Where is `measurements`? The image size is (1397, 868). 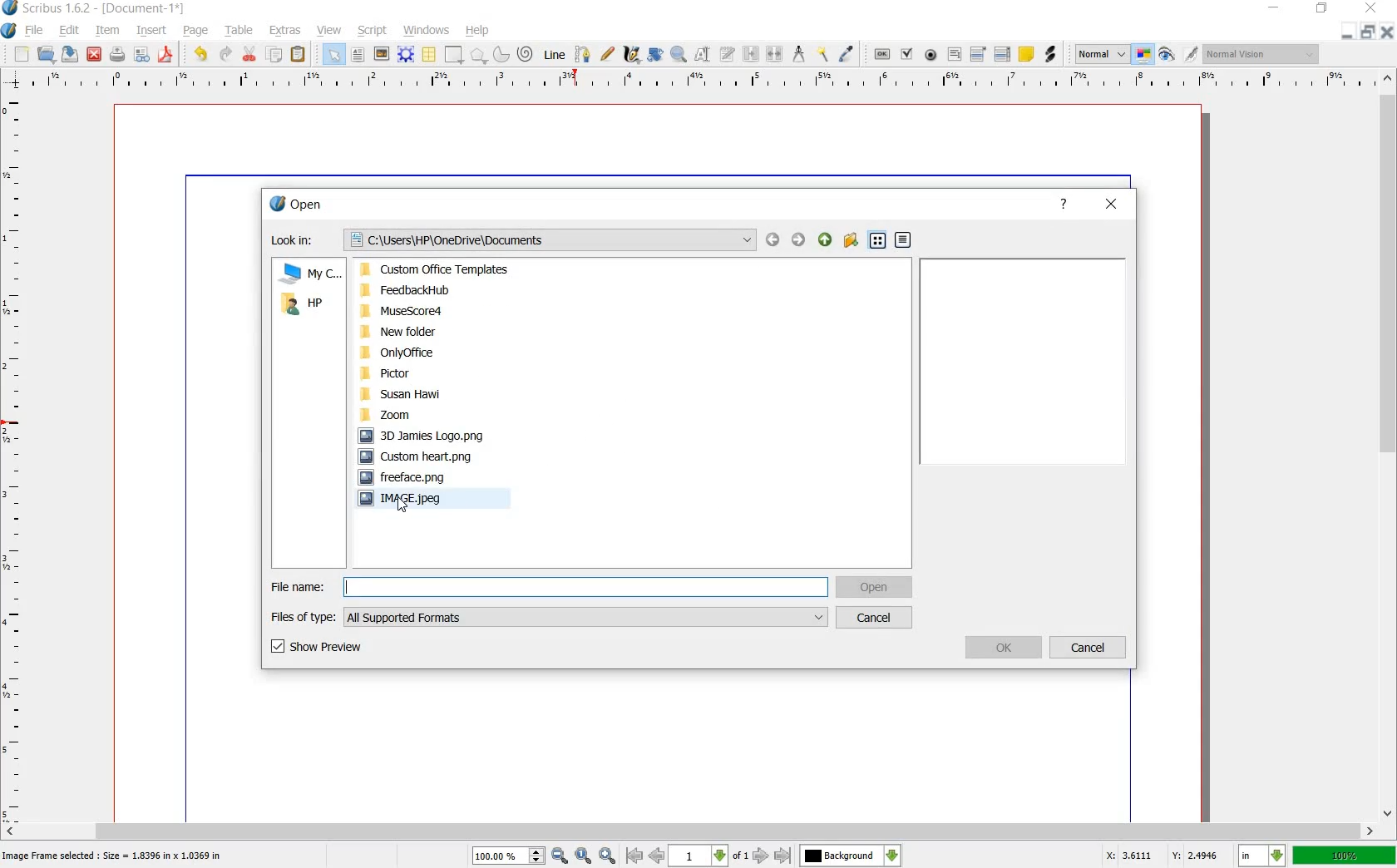 measurements is located at coordinates (799, 53).